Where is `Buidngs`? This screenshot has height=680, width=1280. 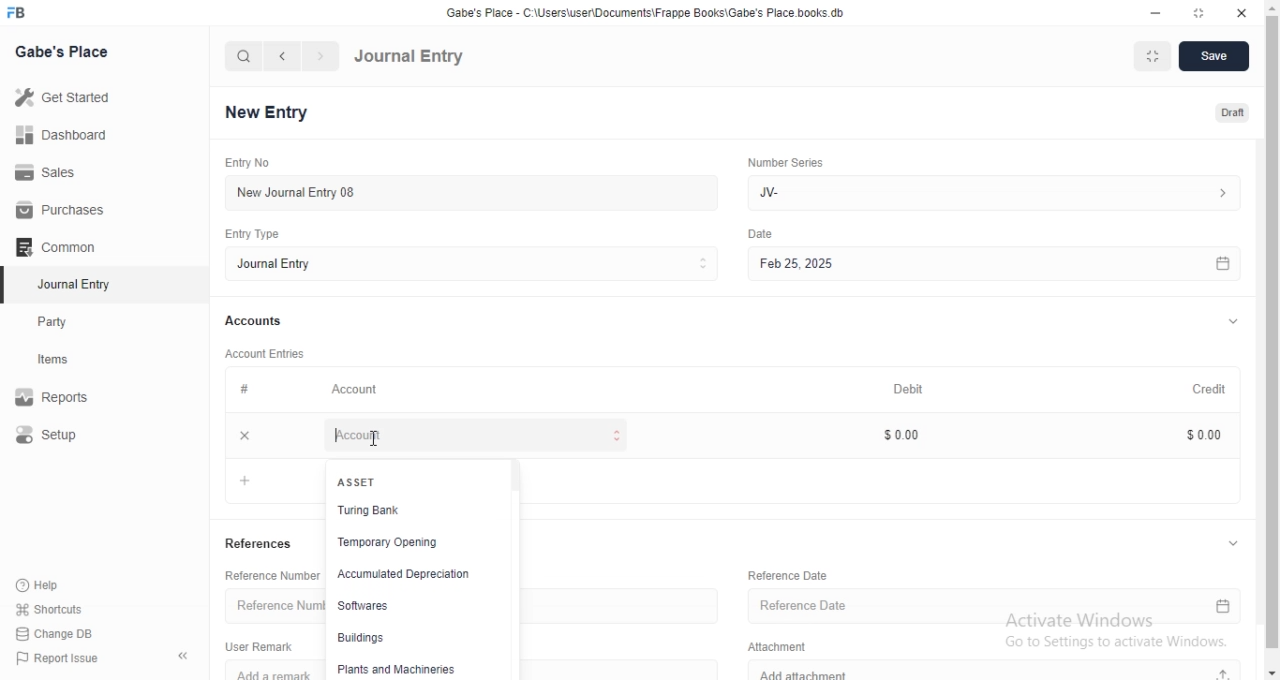
Buidngs is located at coordinates (406, 638).